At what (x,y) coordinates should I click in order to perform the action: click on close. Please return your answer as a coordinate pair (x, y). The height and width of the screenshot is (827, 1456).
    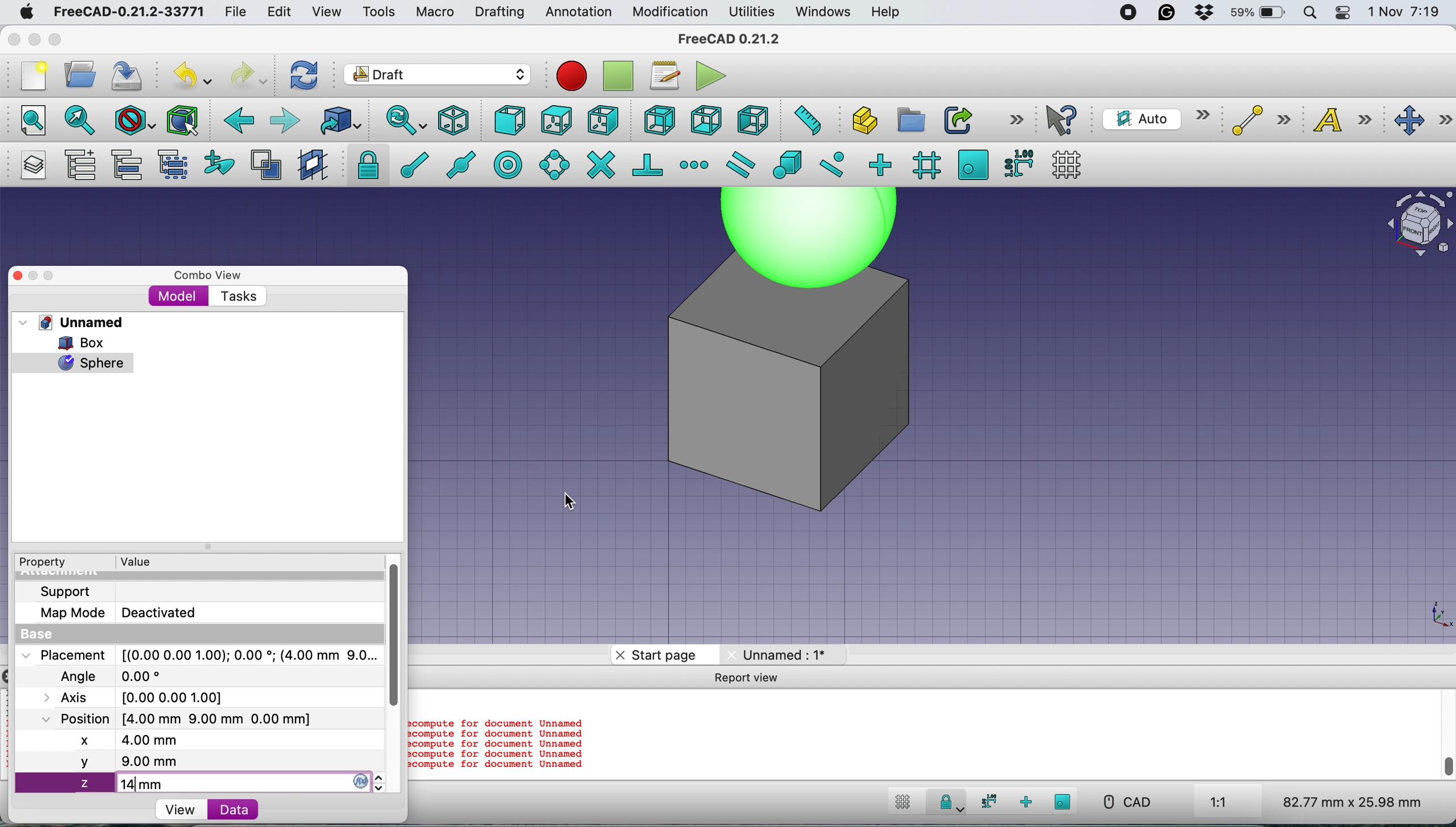
    Looking at the image, I should click on (14, 36).